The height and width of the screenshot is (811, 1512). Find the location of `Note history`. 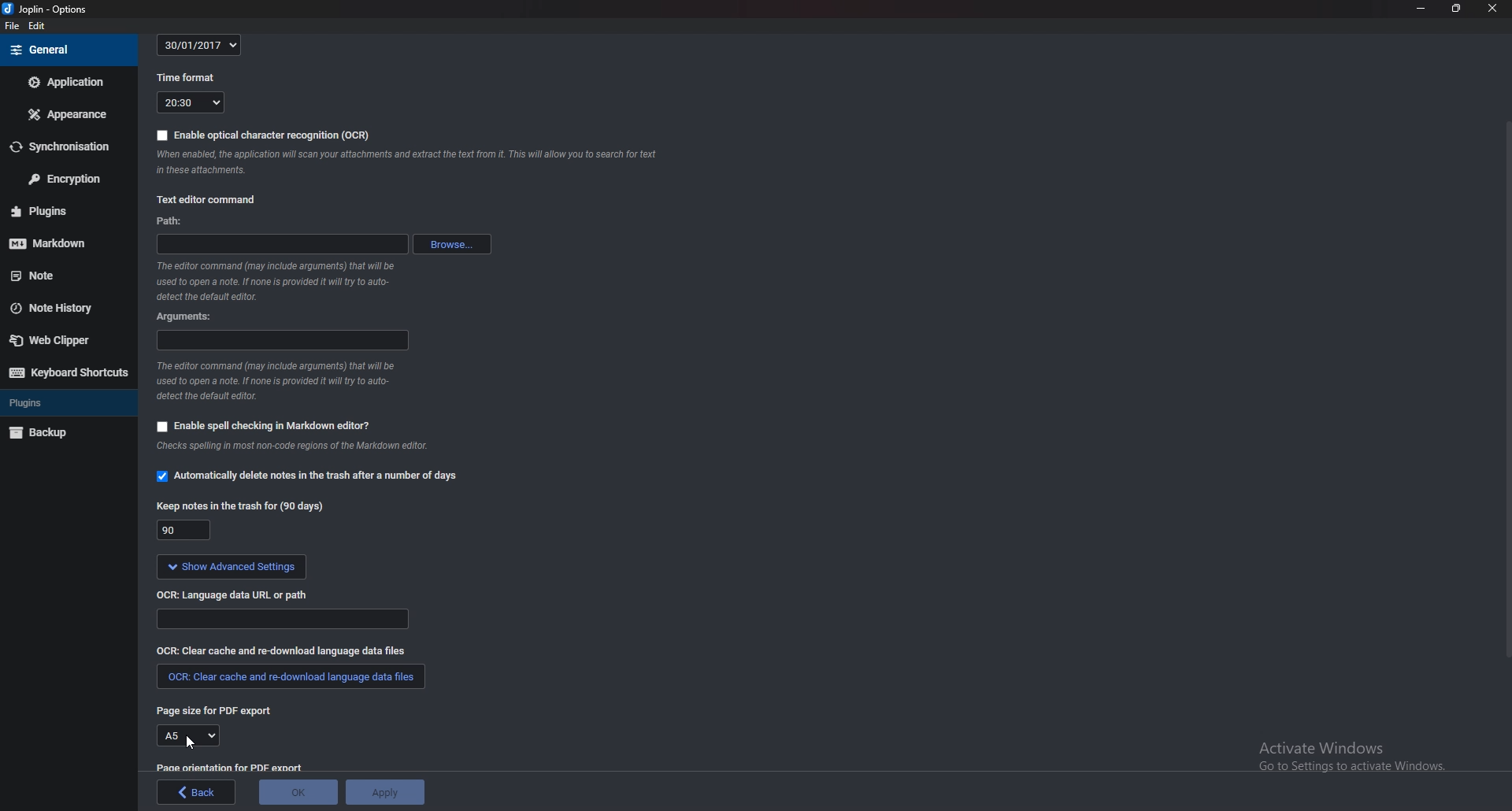

Note history is located at coordinates (61, 309).